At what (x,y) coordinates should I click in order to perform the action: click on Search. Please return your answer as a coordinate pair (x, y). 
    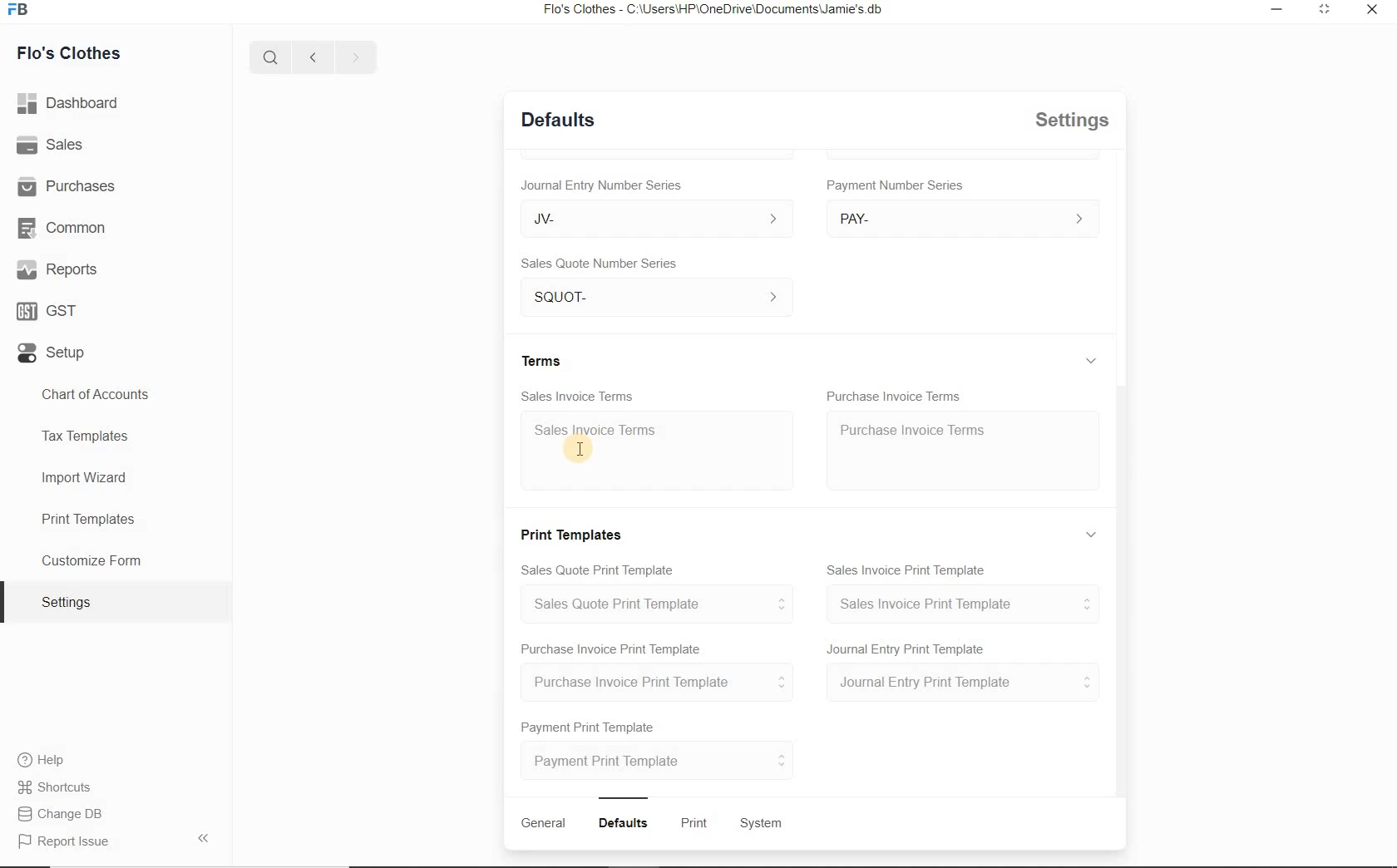
    Looking at the image, I should click on (268, 55).